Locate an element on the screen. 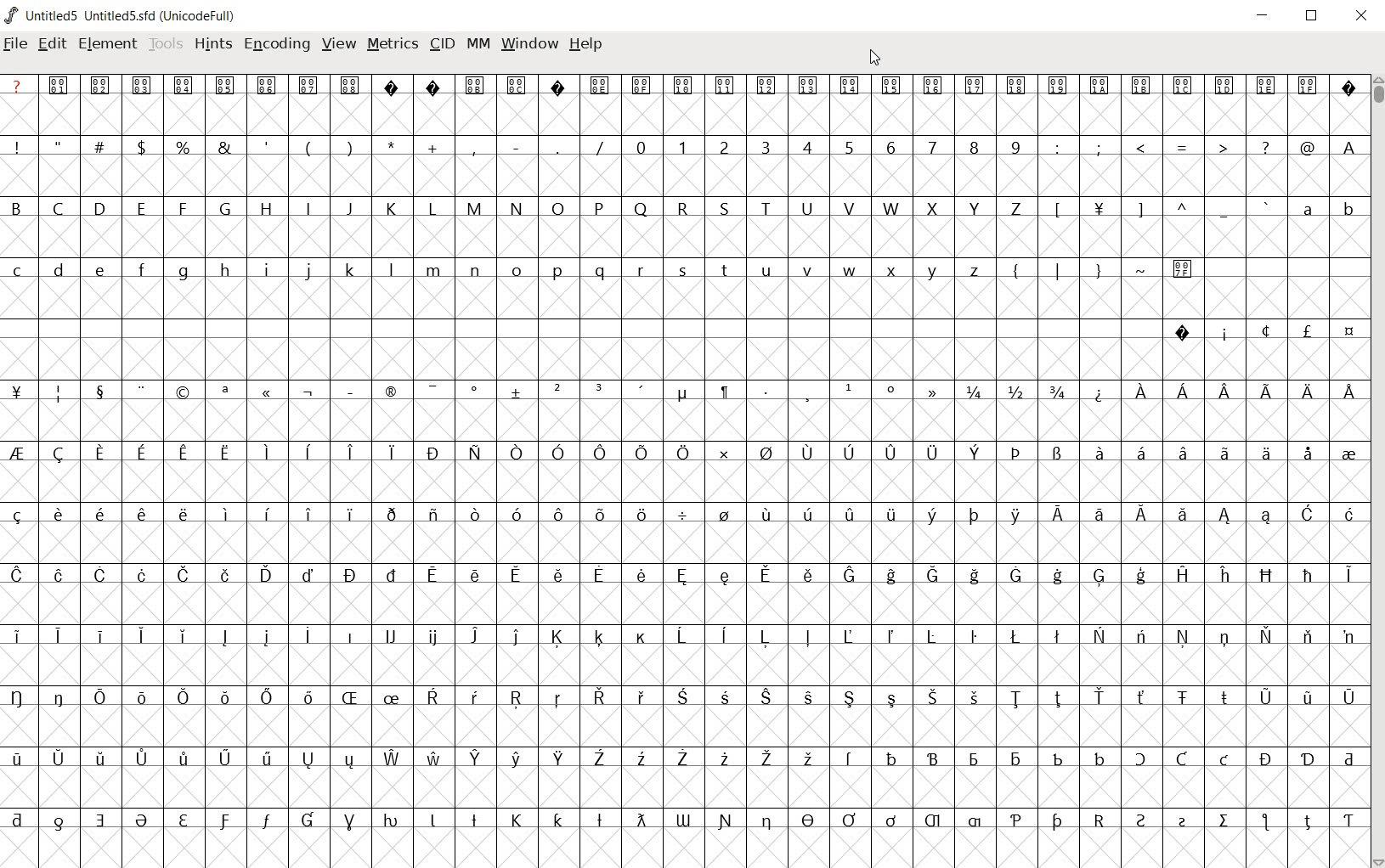 This screenshot has height=868, width=1385. { is located at coordinates (1015, 270).